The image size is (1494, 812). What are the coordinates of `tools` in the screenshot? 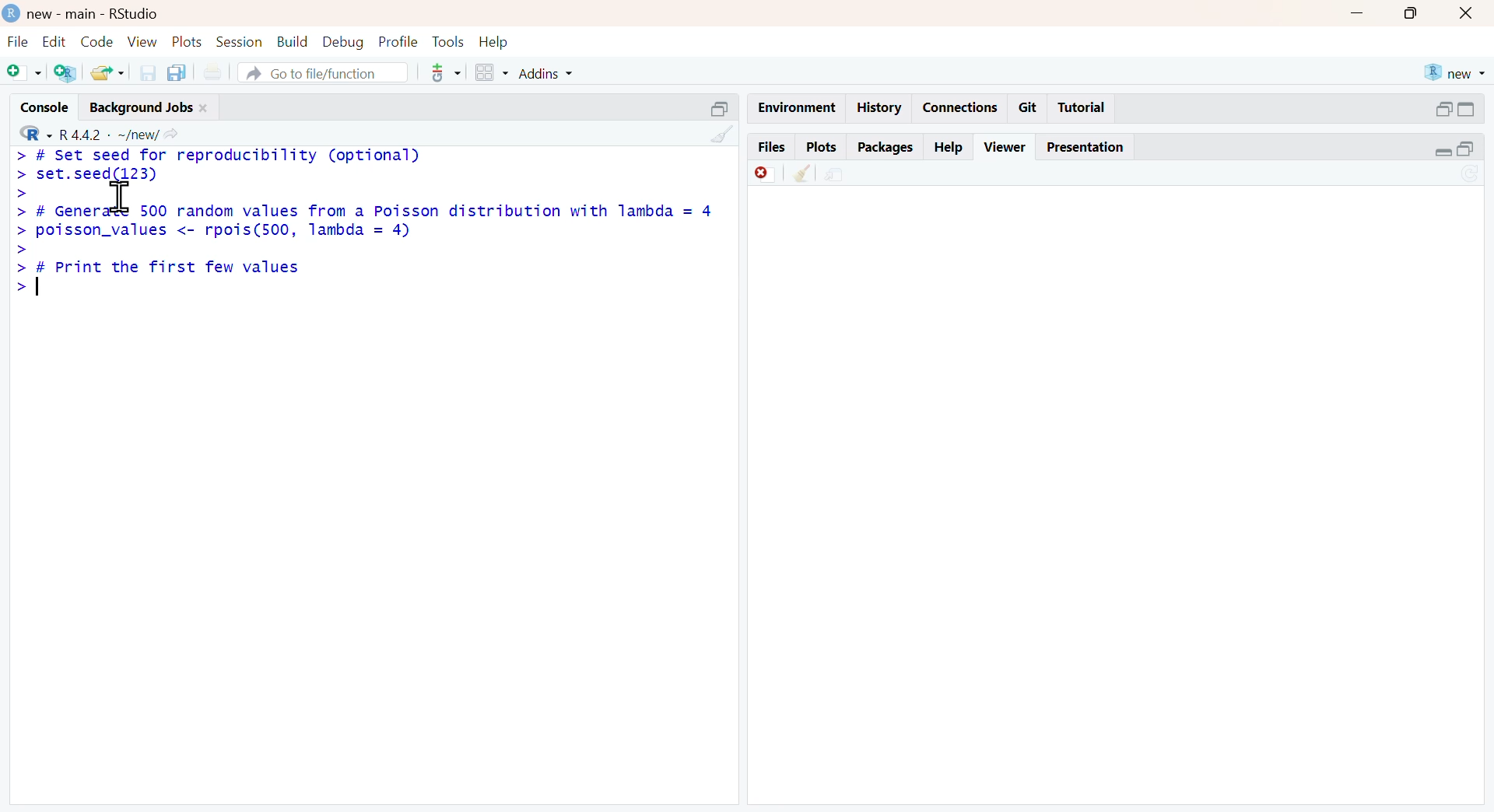 It's located at (450, 41).